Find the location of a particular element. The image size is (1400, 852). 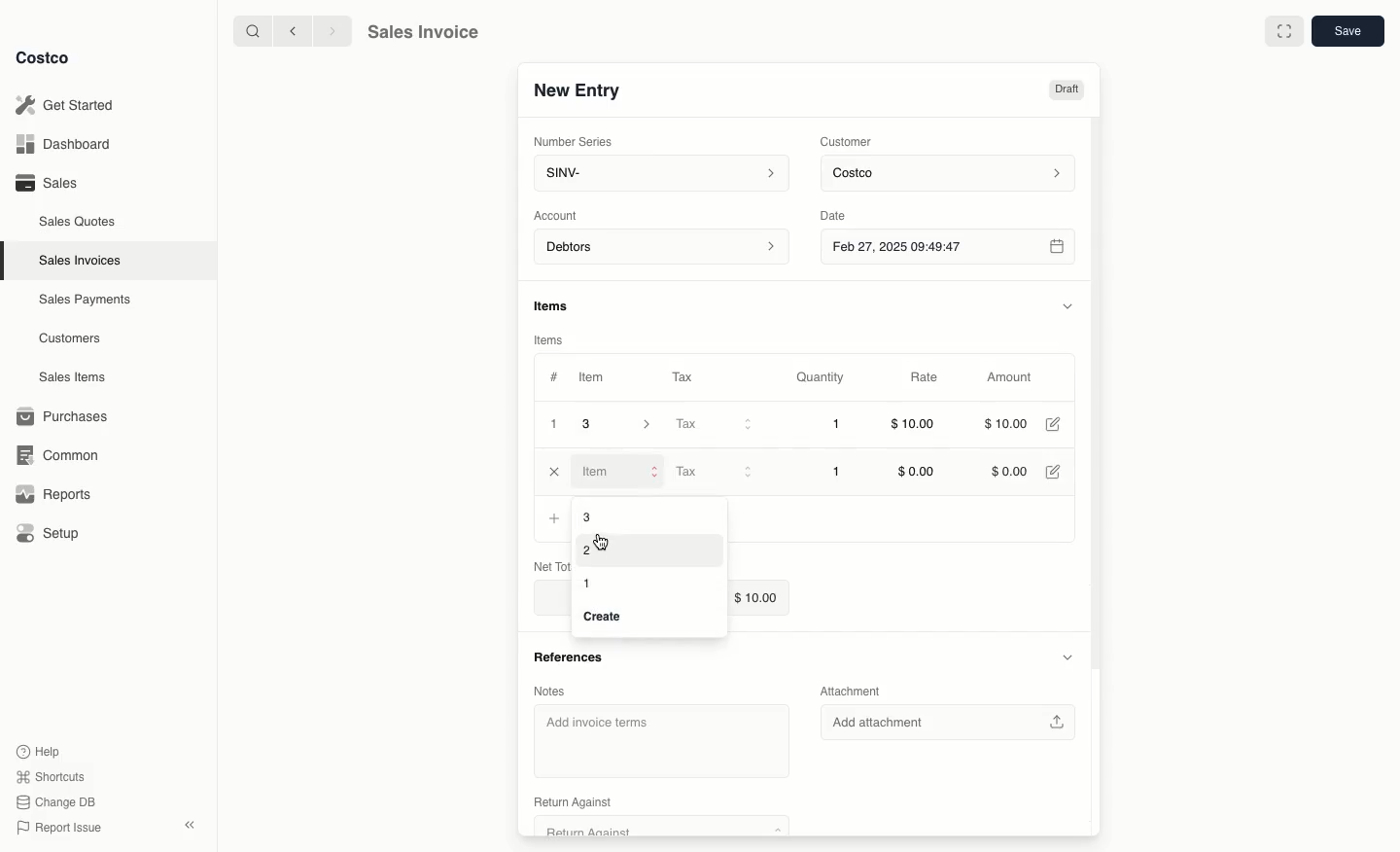

New Entry is located at coordinates (577, 90).